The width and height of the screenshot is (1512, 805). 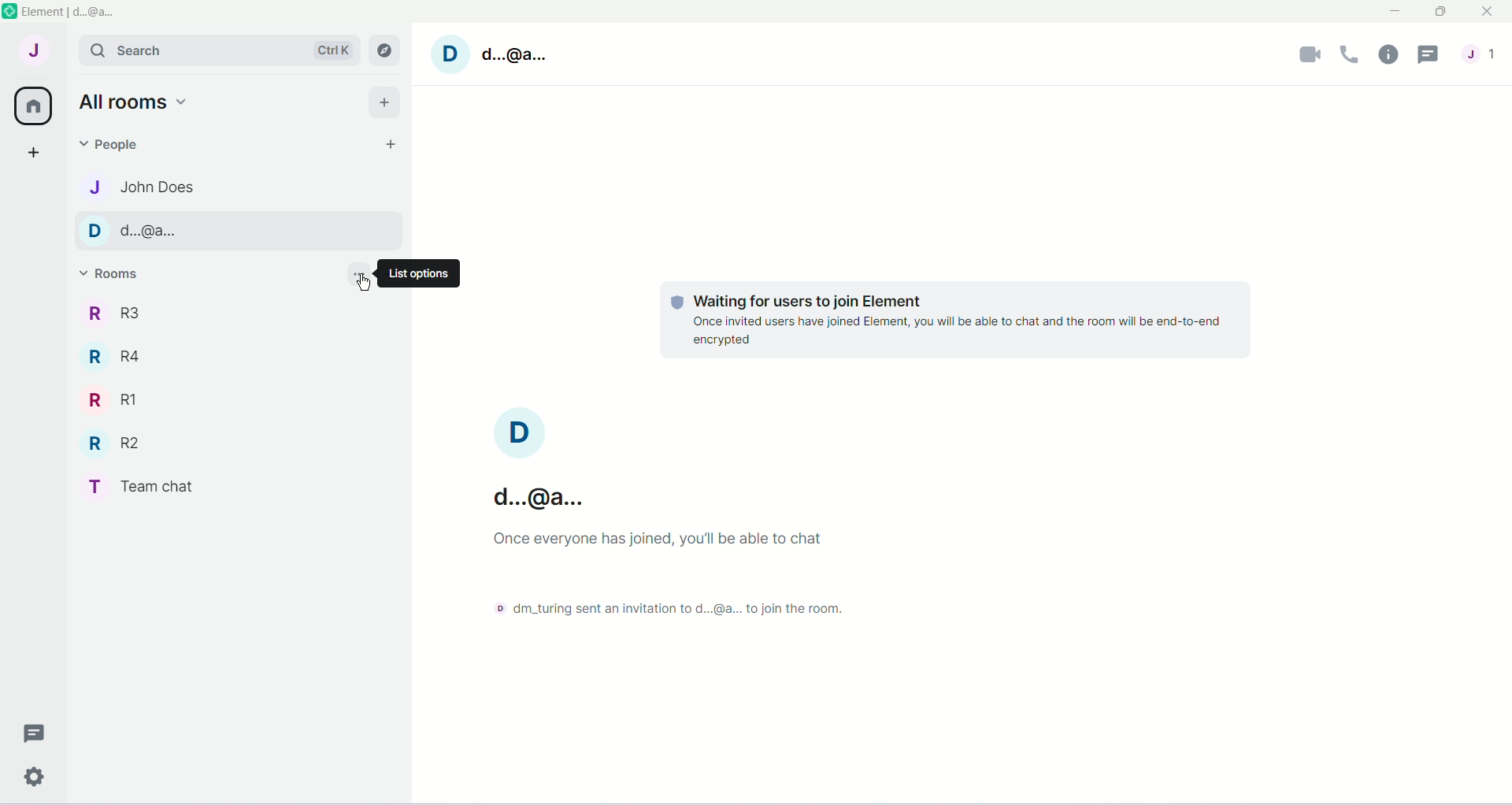 What do you see at coordinates (1480, 54) in the screenshot?
I see `People` at bounding box center [1480, 54].